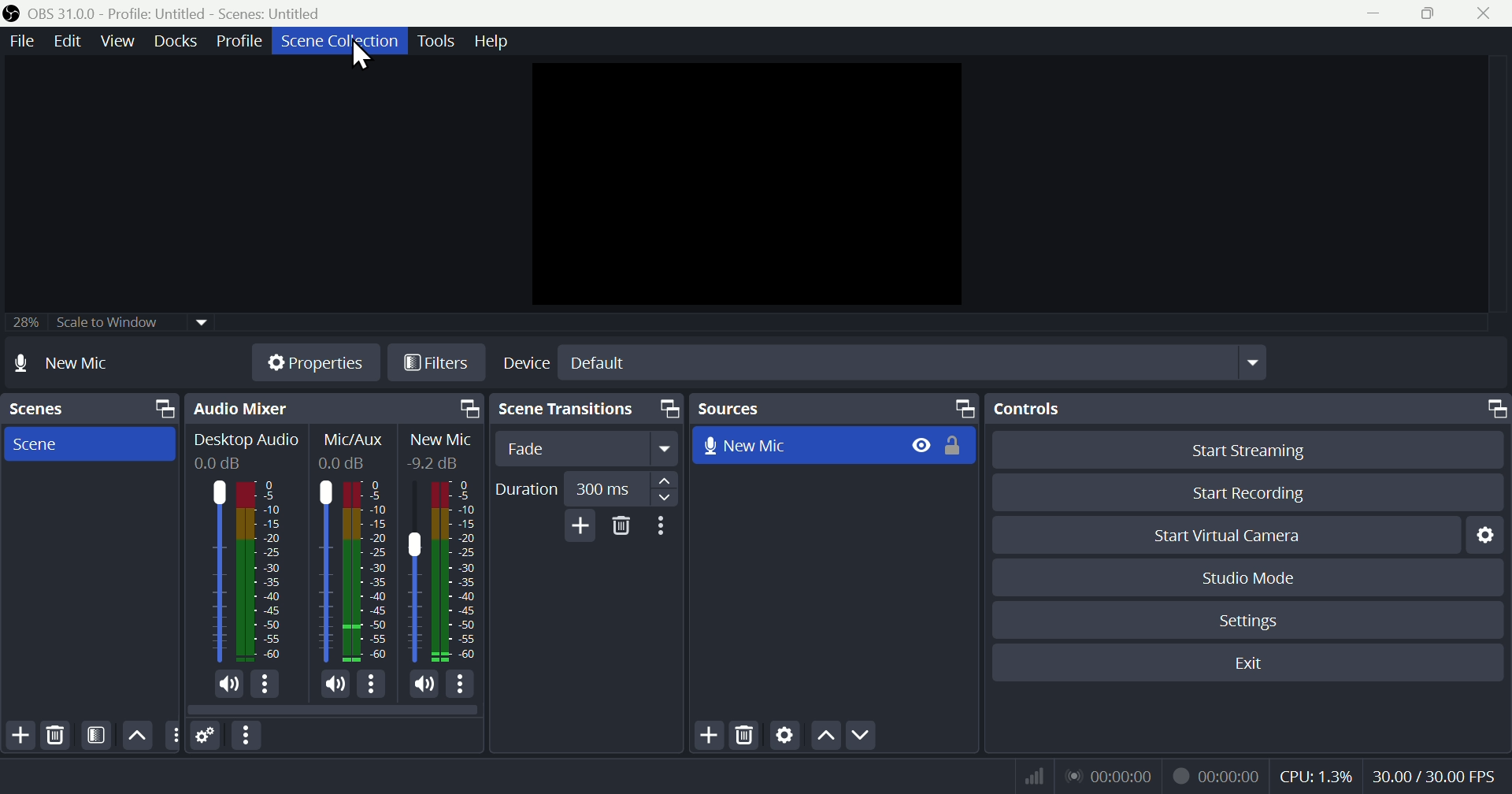 This screenshot has height=794, width=1512. I want to click on New Mic, so click(443, 440).